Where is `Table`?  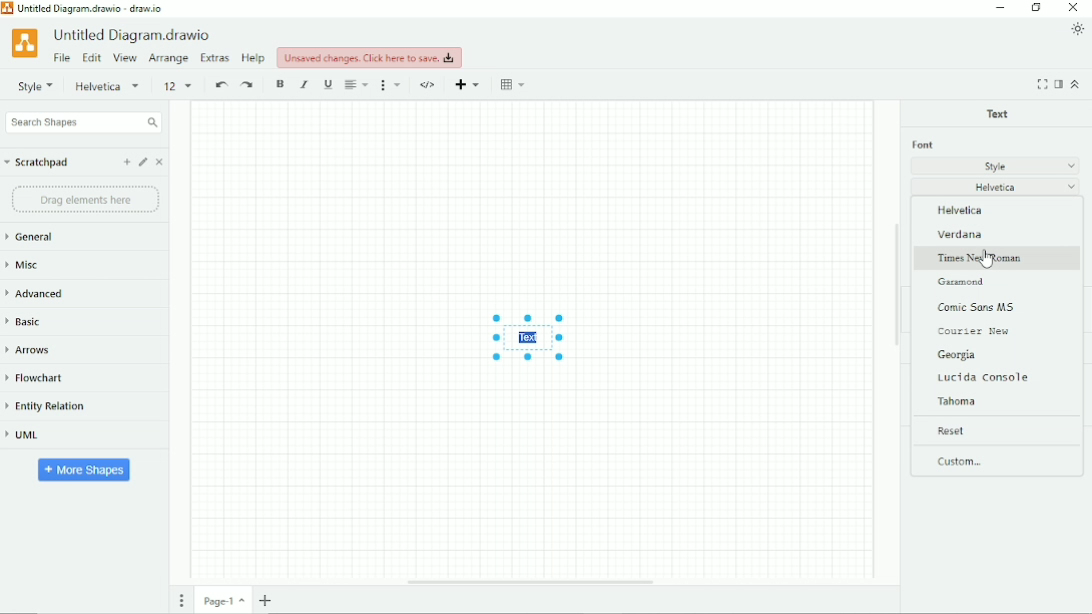 Table is located at coordinates (512, 84).